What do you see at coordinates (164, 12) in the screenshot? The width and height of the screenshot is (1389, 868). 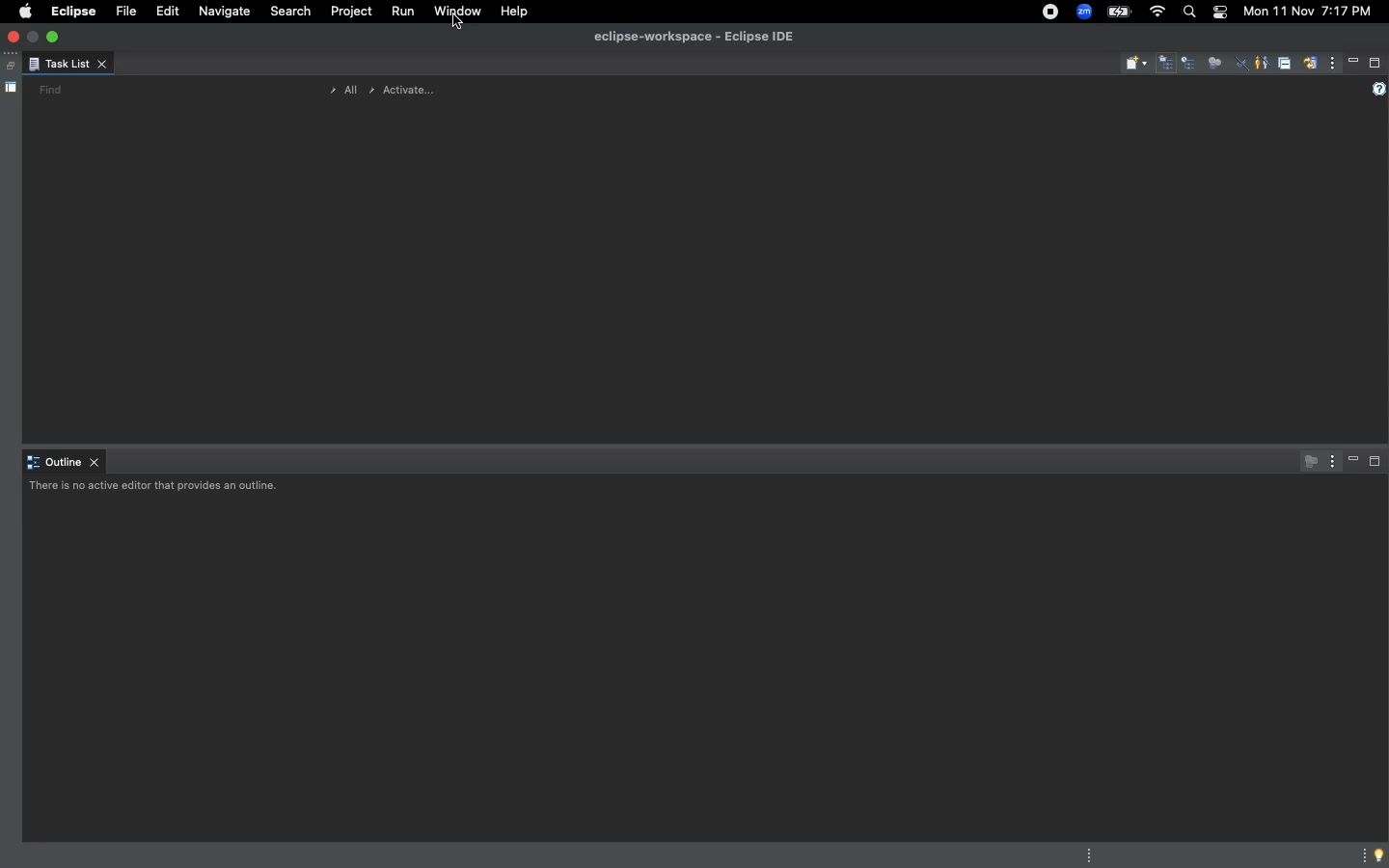 I see `Edit` at bounding box center [164, 12].